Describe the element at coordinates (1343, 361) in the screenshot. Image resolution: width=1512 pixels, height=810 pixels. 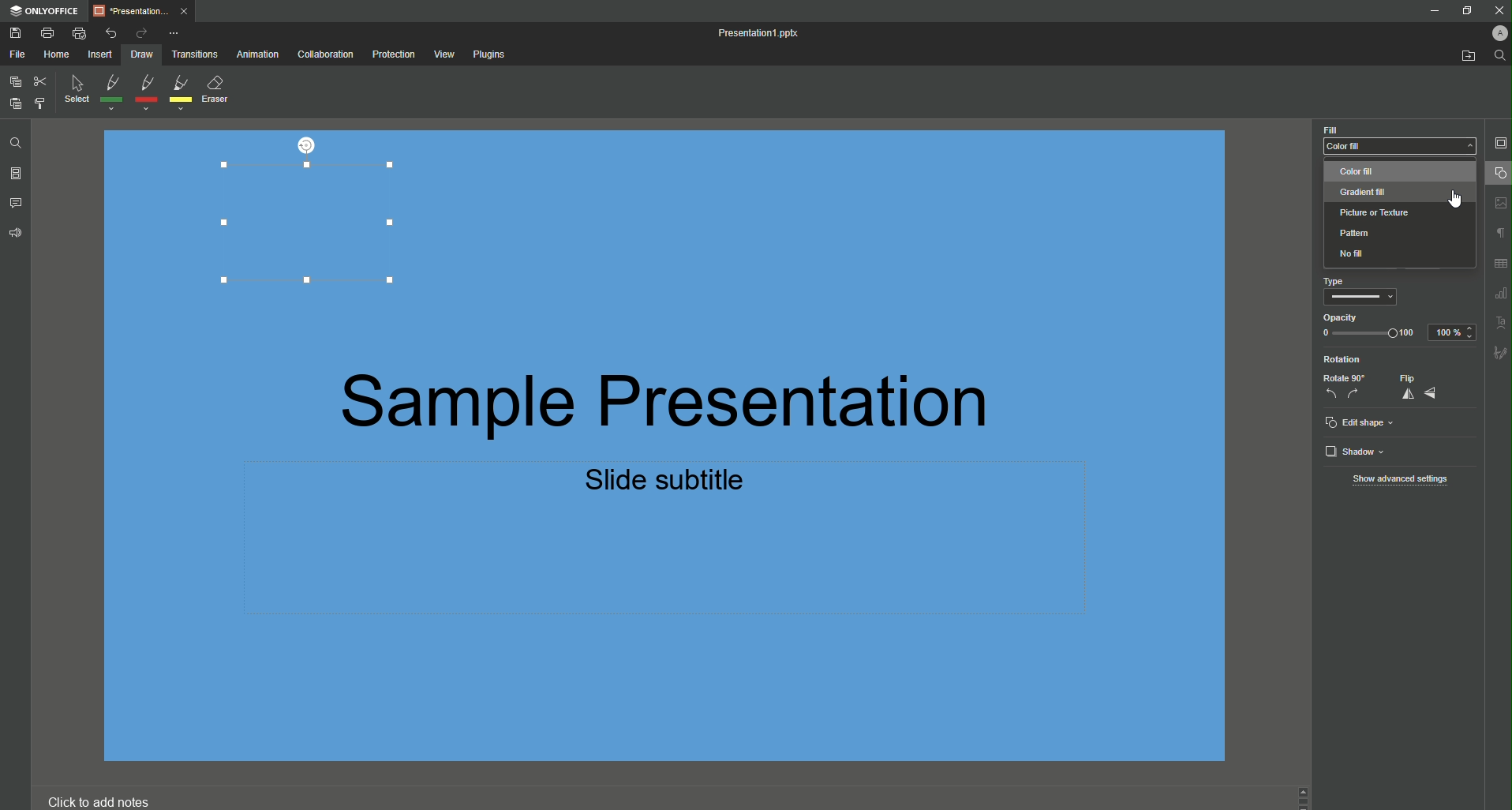
I see `Rotation` at that location.